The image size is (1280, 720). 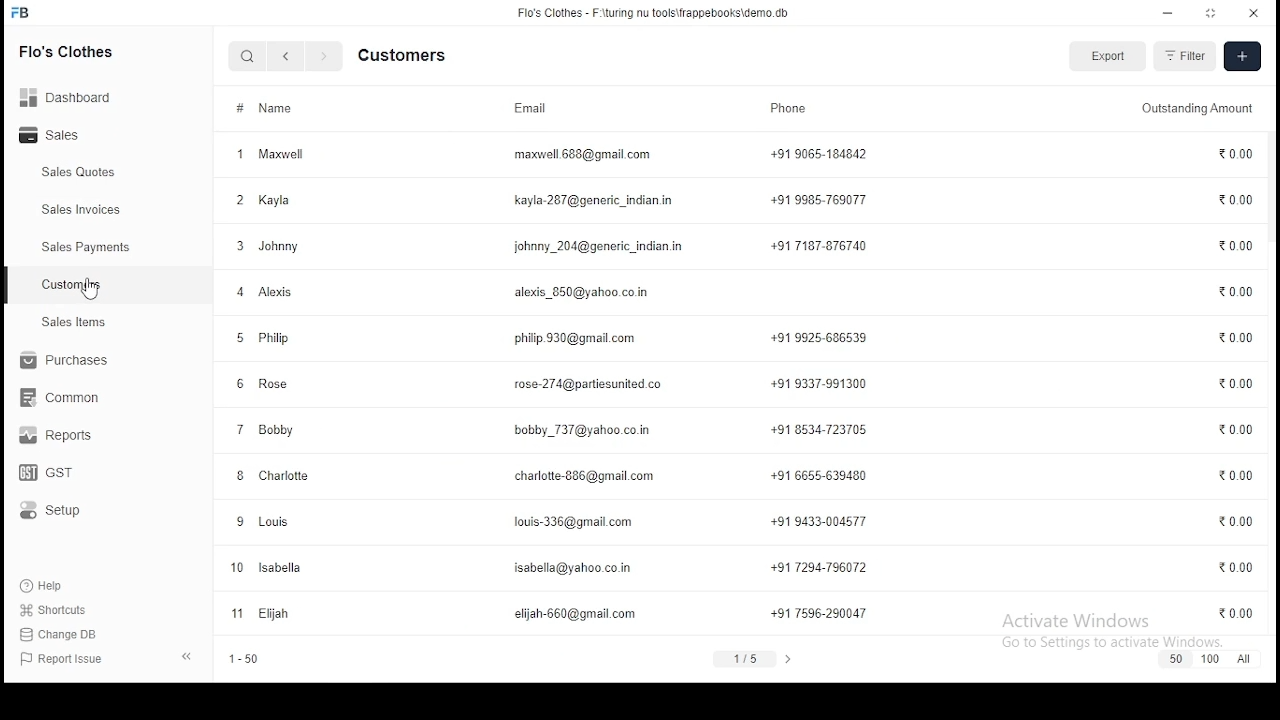 What do you see at coordinates (1232, 336) in the screenshot?
I see `0.00` at bounding box center [1232, 336].